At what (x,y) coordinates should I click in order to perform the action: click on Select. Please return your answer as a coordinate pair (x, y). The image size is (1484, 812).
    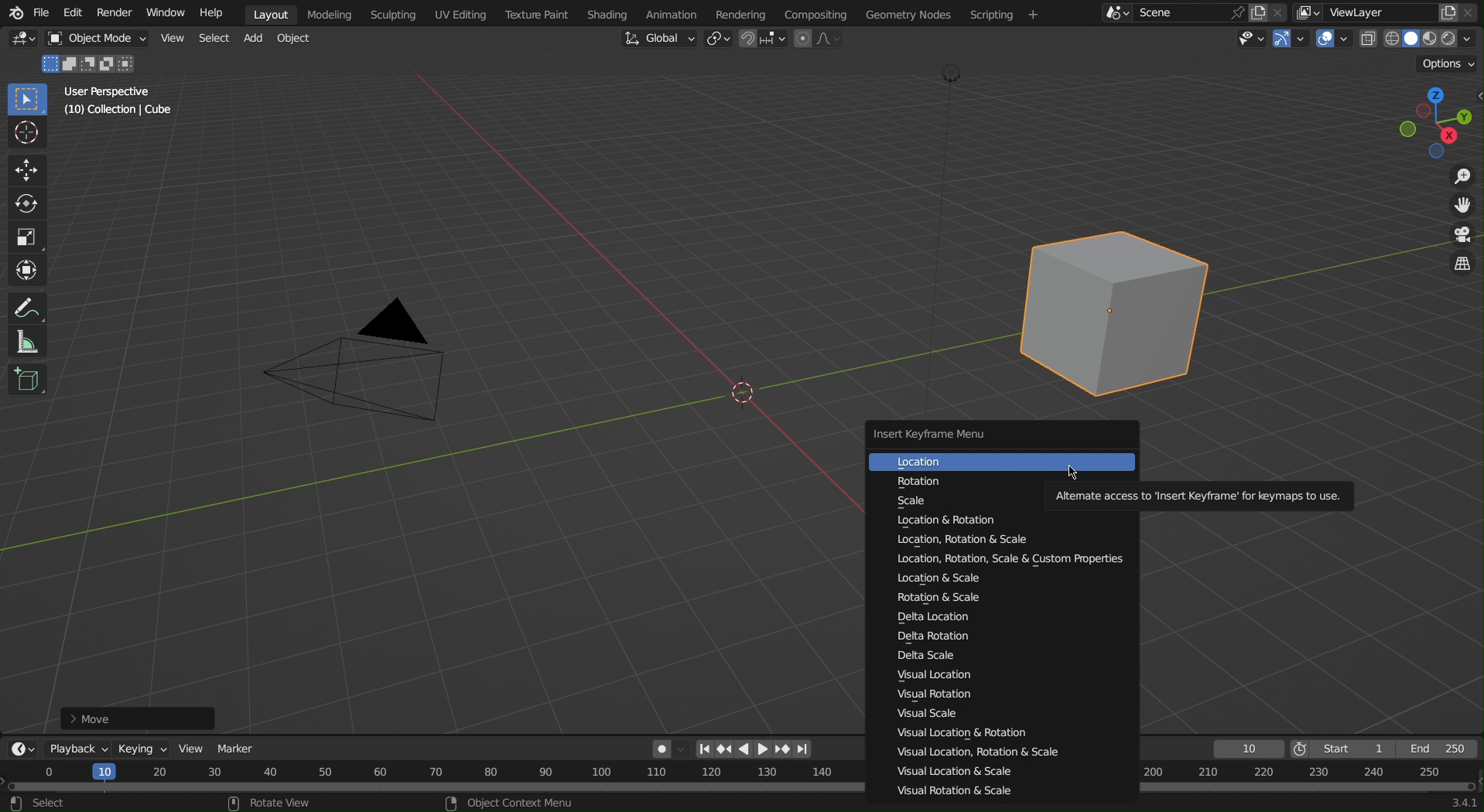
    Looking at the image, I should click on (214, 39).